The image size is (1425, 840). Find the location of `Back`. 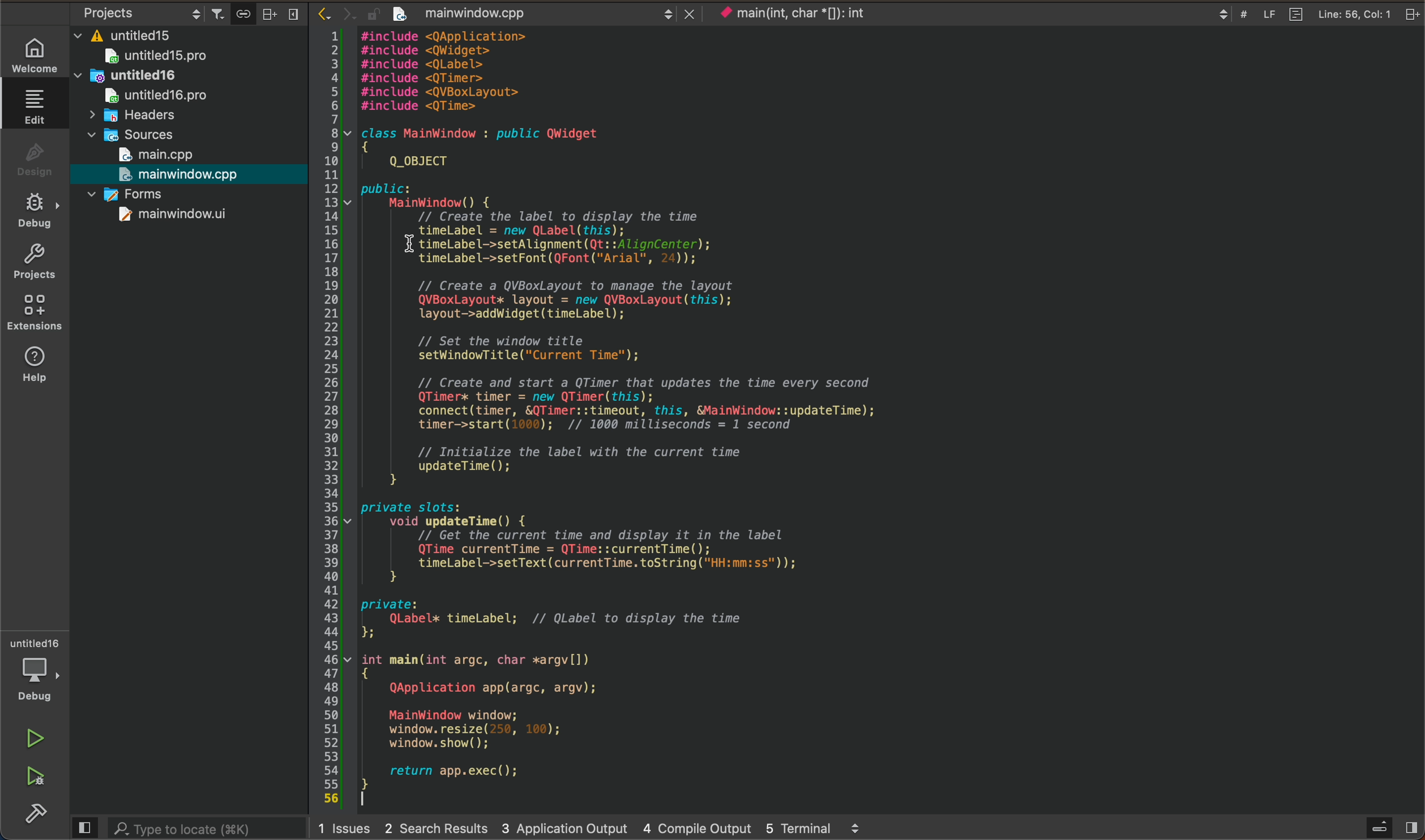

Back is located at coordinates (323, 12).